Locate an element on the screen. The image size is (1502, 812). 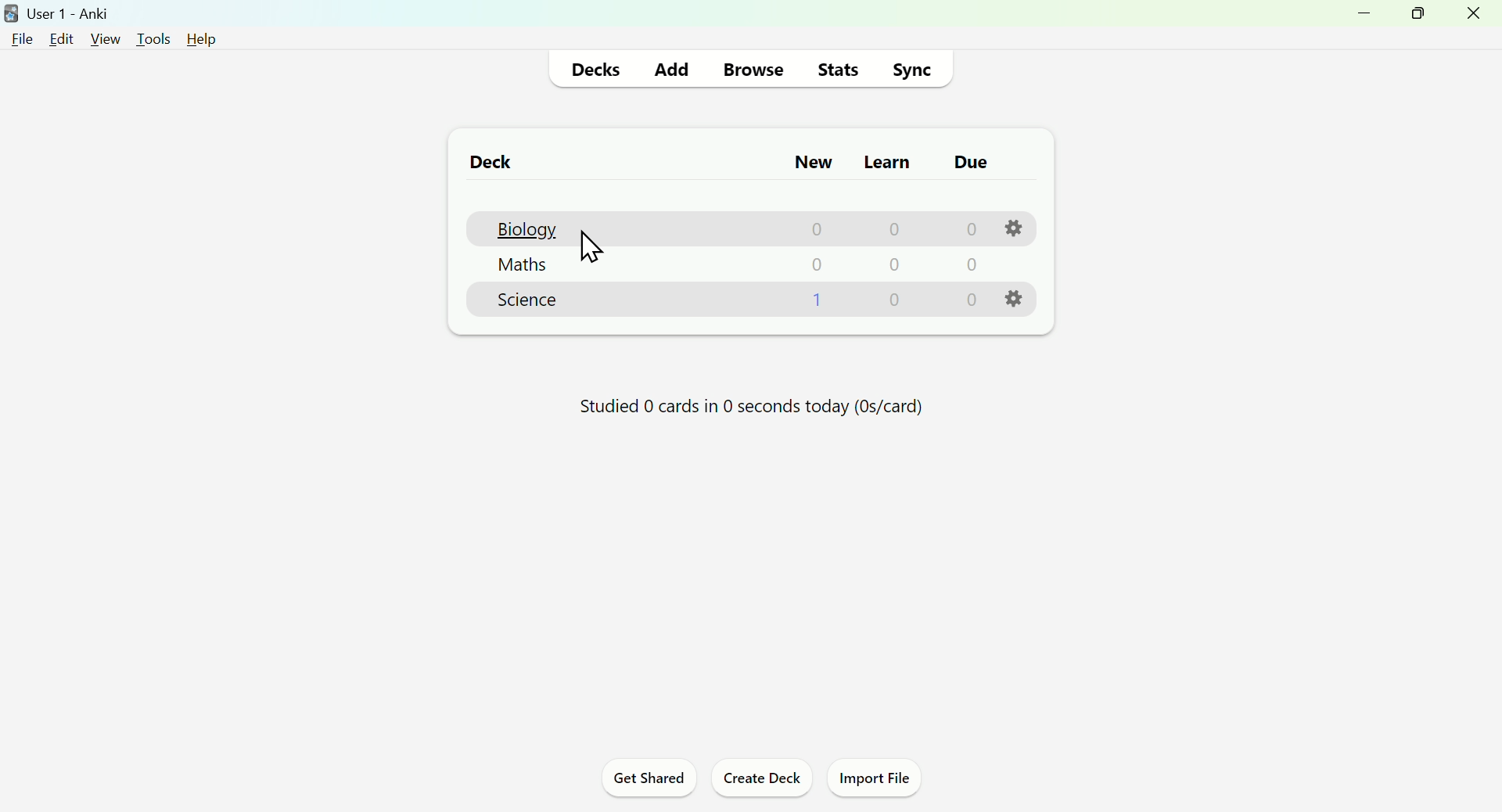
Cursor is located at coordinates (598, 254).